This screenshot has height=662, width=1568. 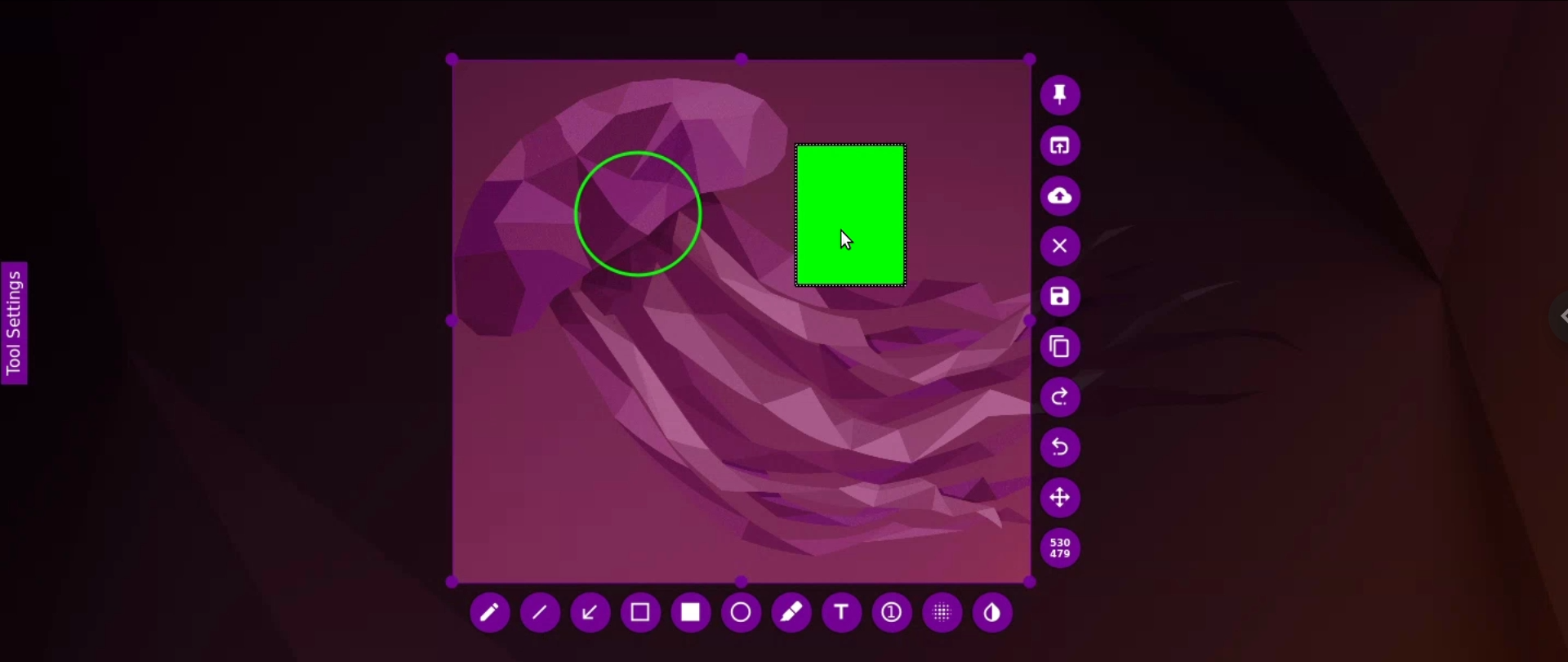 What do you see at coordinates (1060, 445) in the screenshot?
I see `redo` at bounding box center [1060, 445].